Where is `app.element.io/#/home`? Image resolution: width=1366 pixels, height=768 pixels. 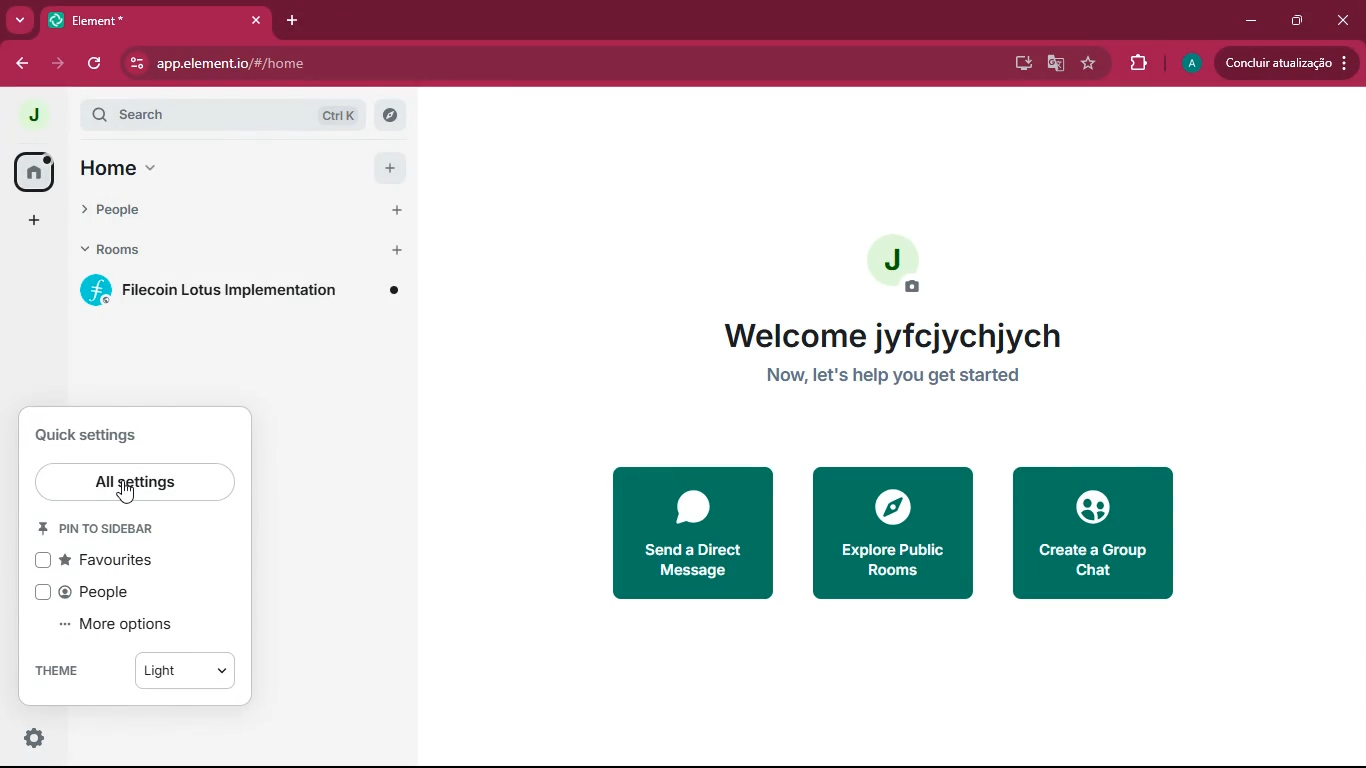 app.element.io/#/home is located at coordinates (365, 63).